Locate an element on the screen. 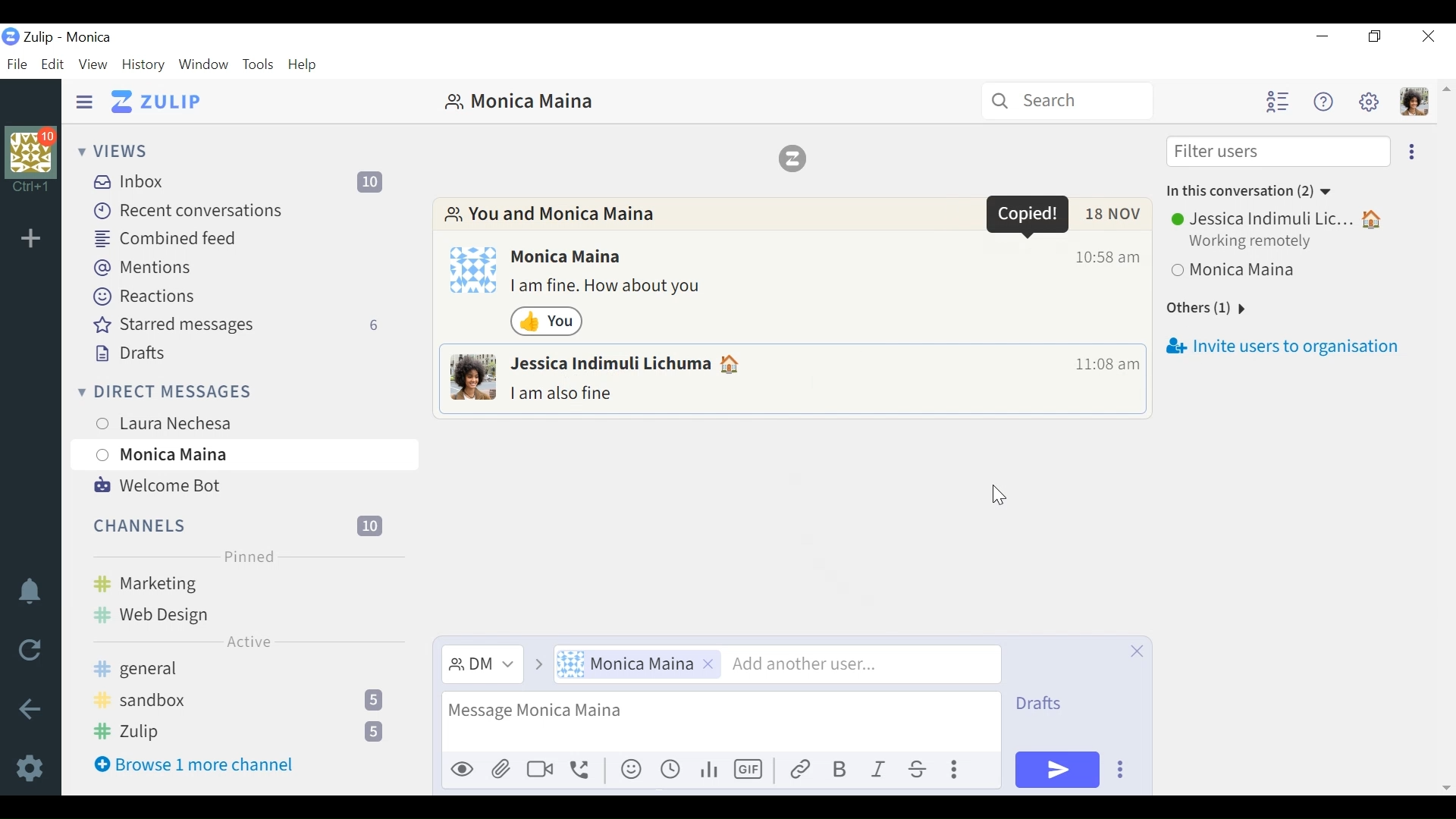 The width and height of the screenshot is (1456, 819). Ellipsis is located at coordinates (1410, 152).